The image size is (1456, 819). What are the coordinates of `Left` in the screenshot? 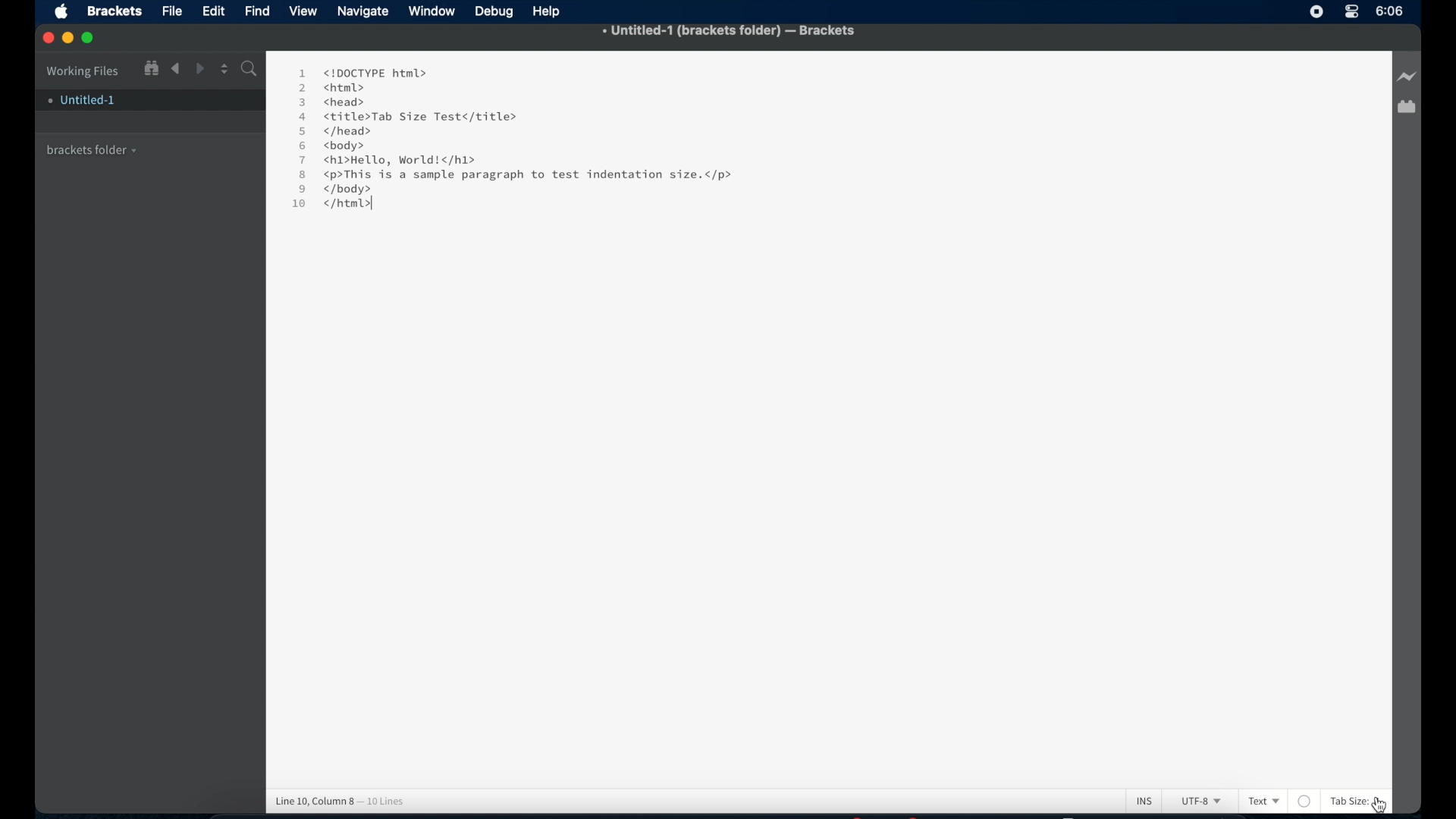 It's located at (175, 69).